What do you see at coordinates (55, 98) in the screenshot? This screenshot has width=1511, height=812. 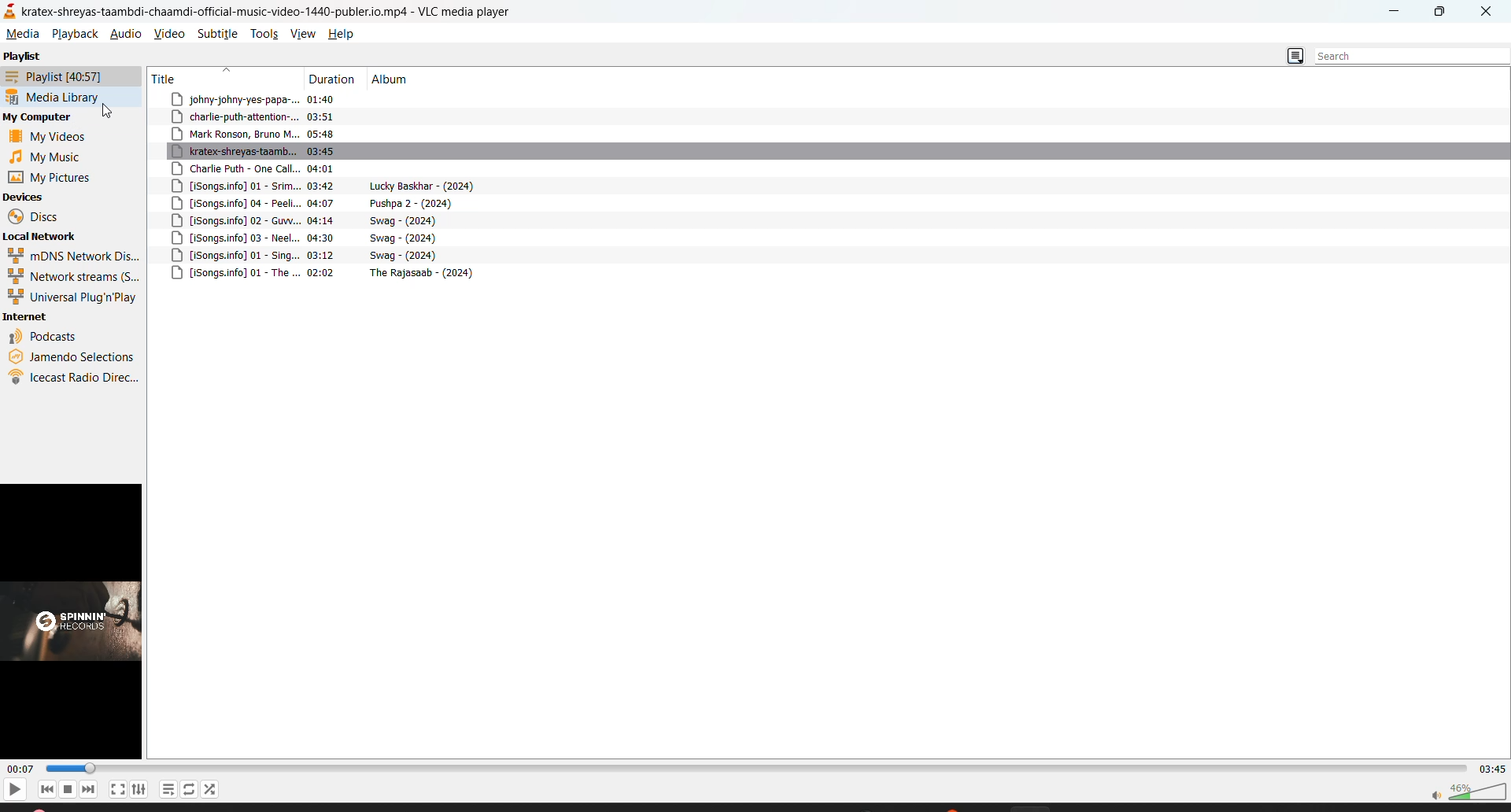 I see `media library` at bounding box center [55, 98].